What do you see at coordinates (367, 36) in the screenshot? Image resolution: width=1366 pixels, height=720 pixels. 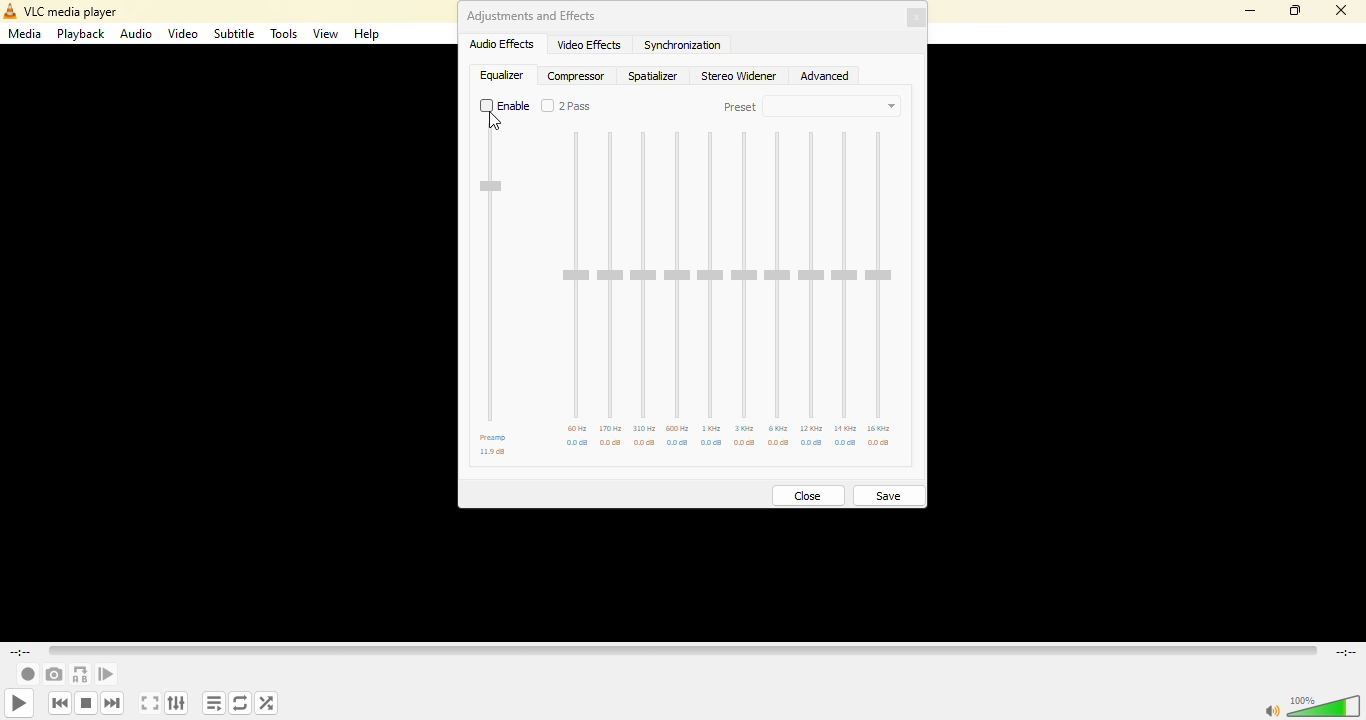 I see `help` at bounding box center [367, 36].